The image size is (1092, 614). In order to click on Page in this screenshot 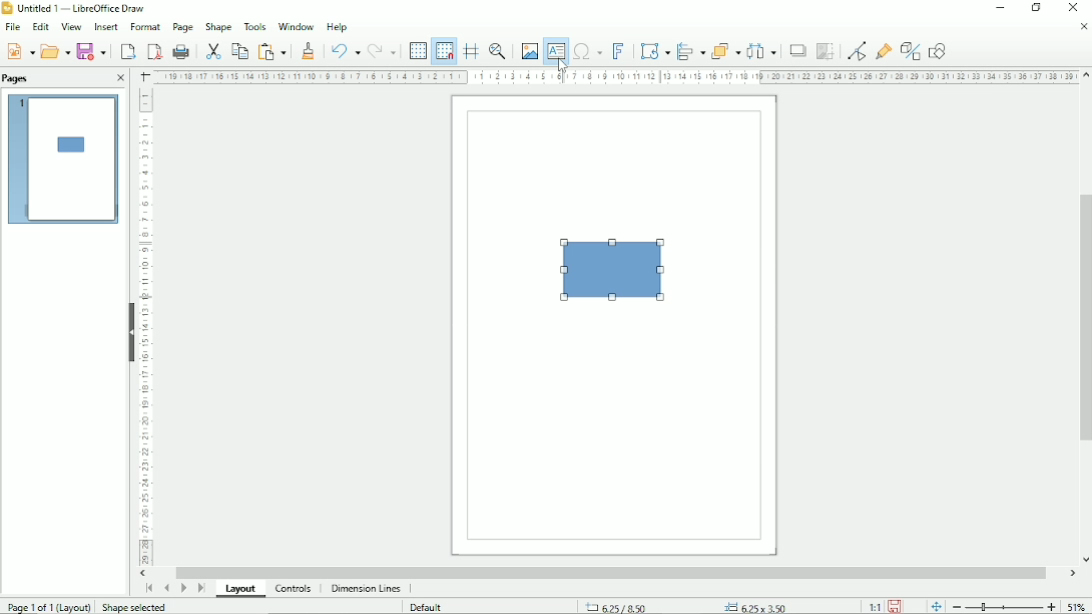, I will do `click(183, 27)`.